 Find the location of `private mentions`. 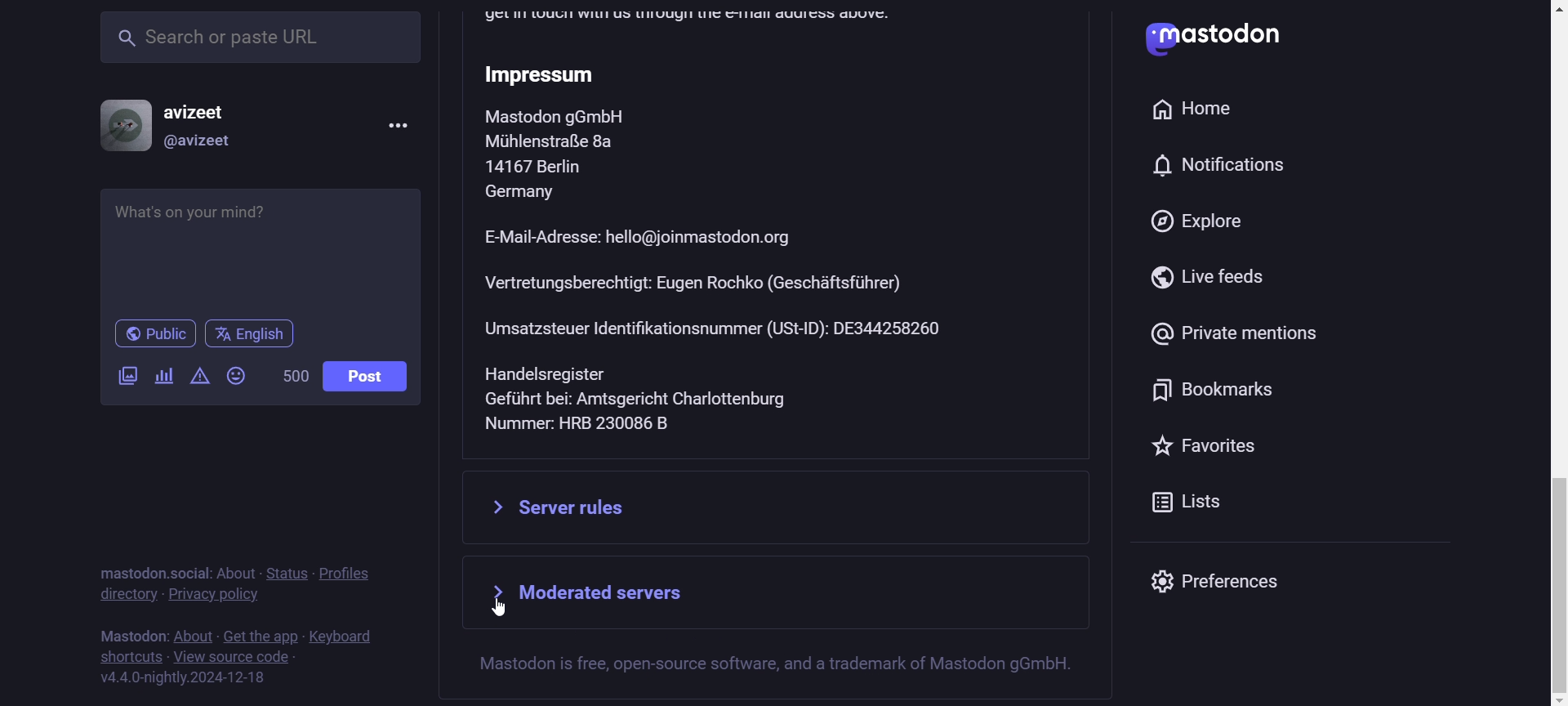

private mentions is located at coordinates (1232, 336).